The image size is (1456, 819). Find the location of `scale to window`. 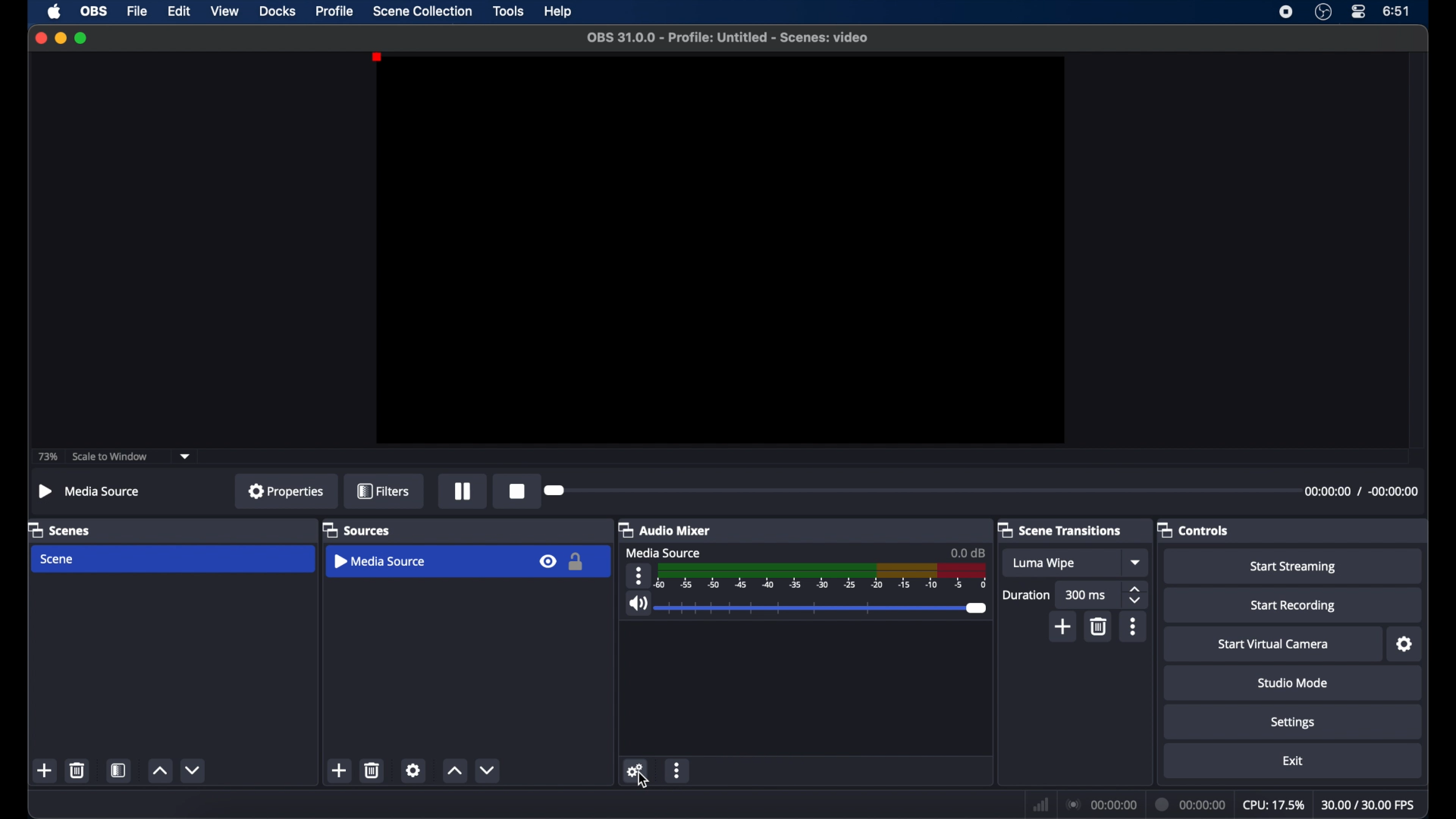

scale to window is located at coordinates (110, 457).